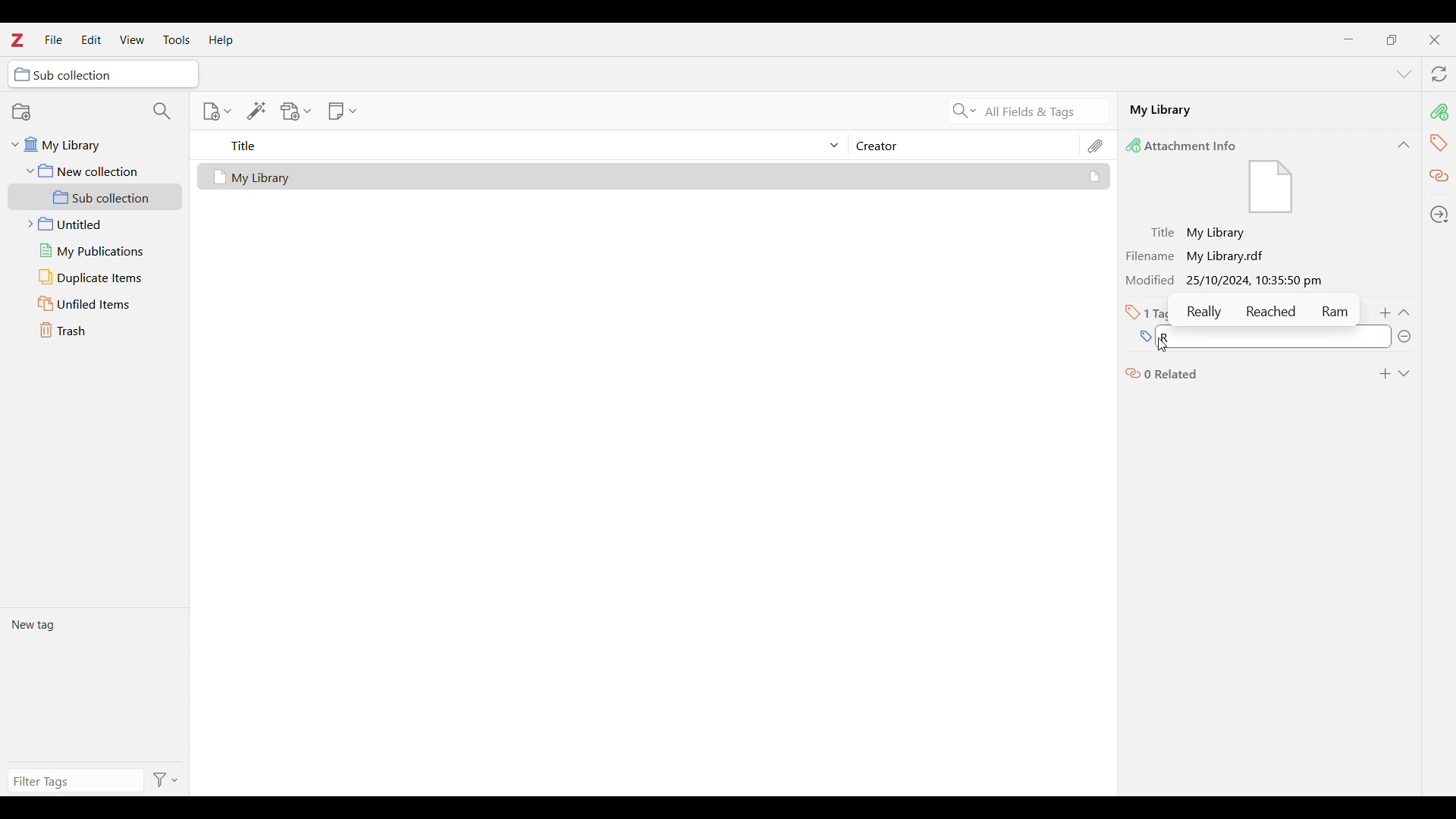  I want to click on New item options, so click(217, 111).